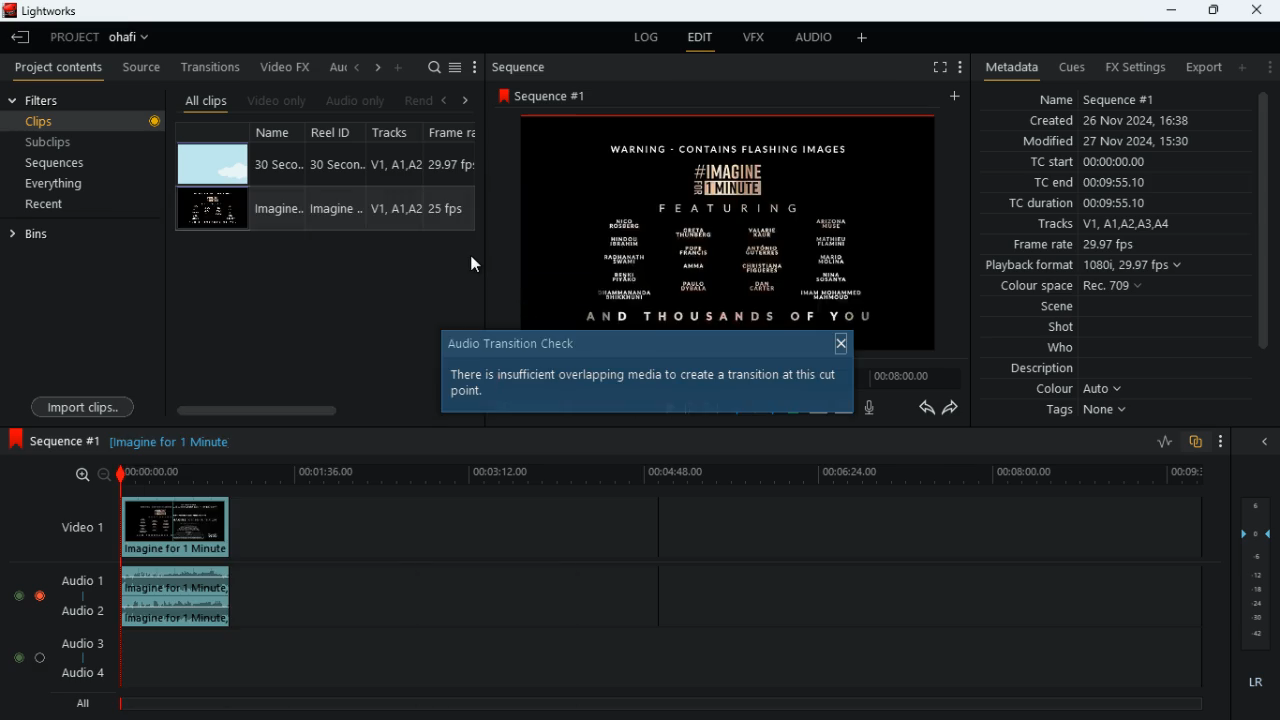  Describe the element at coordinates (734, 216) in the screenshot. I see `image` at that location.